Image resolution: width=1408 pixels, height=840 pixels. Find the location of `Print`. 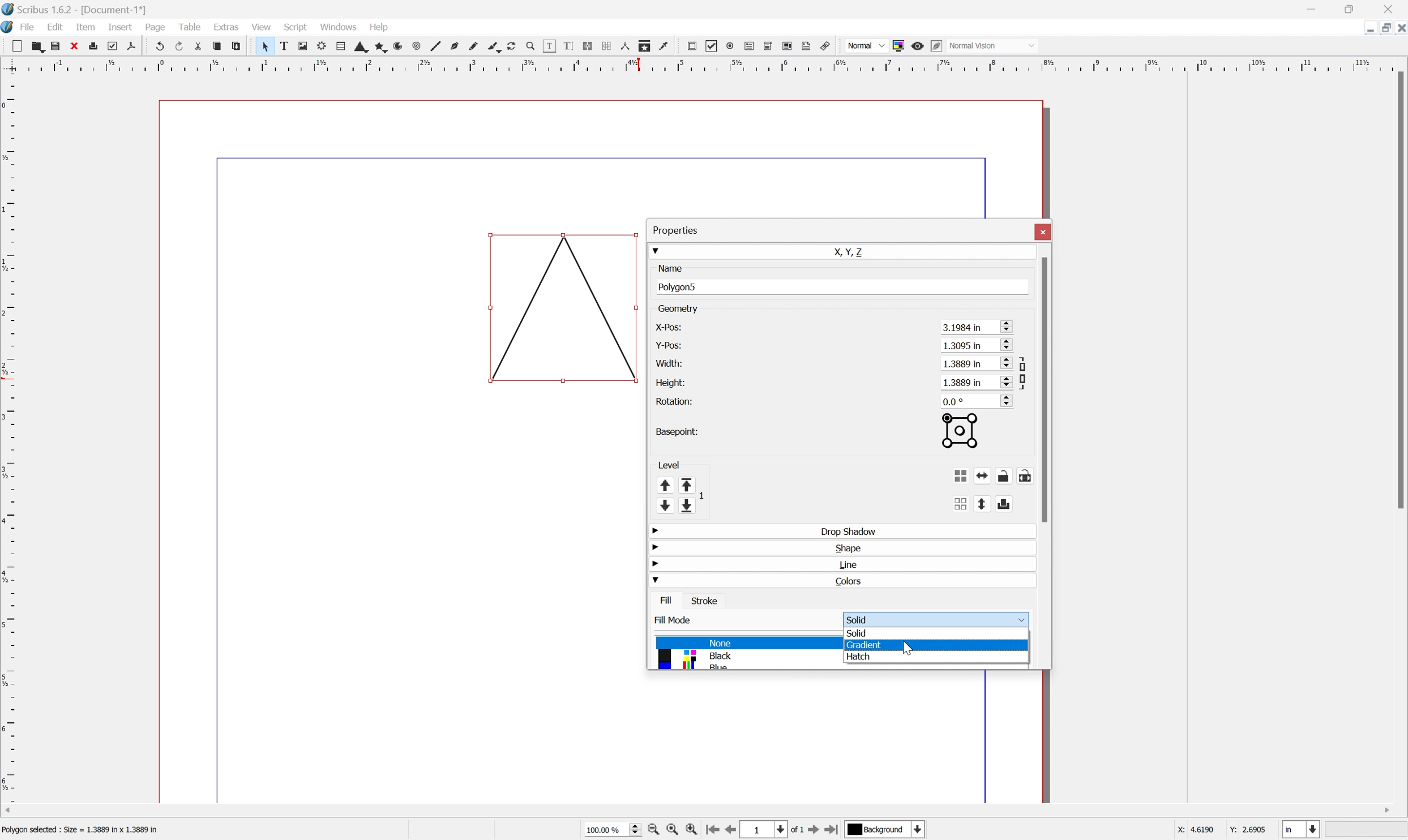

Print is located at coordinates (92, 45).